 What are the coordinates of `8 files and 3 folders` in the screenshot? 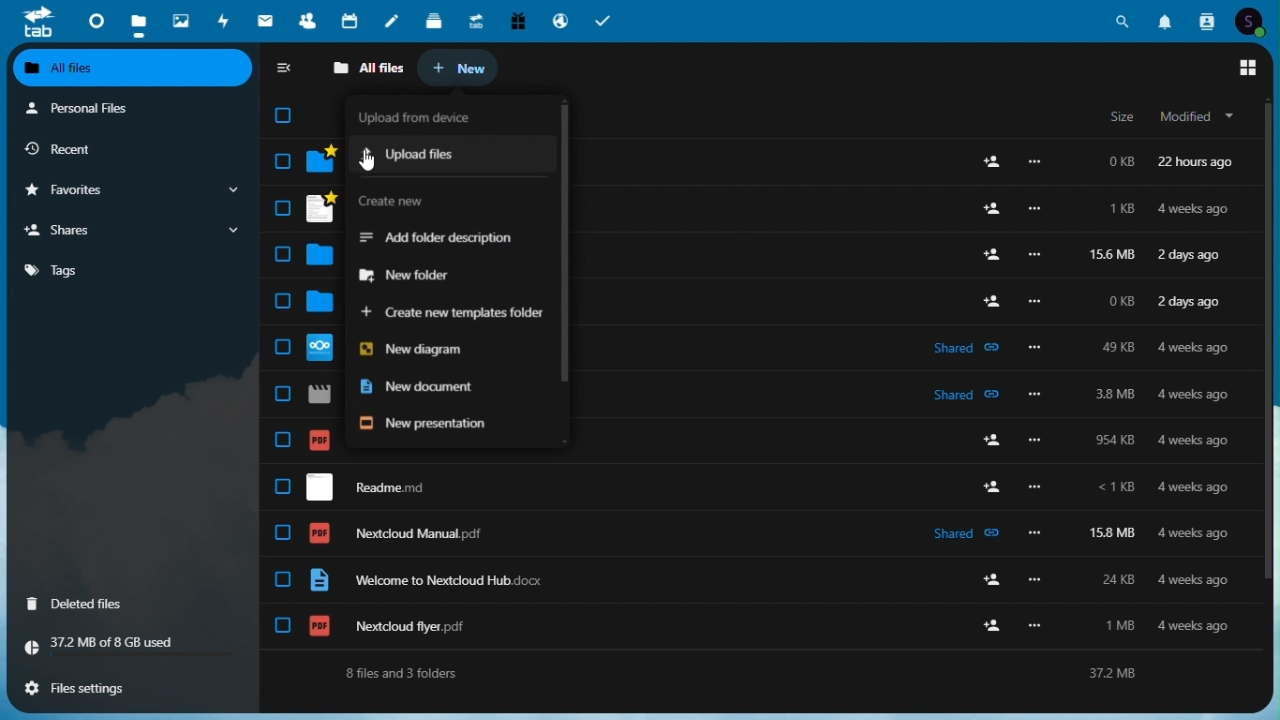 It's located at (400, 674).